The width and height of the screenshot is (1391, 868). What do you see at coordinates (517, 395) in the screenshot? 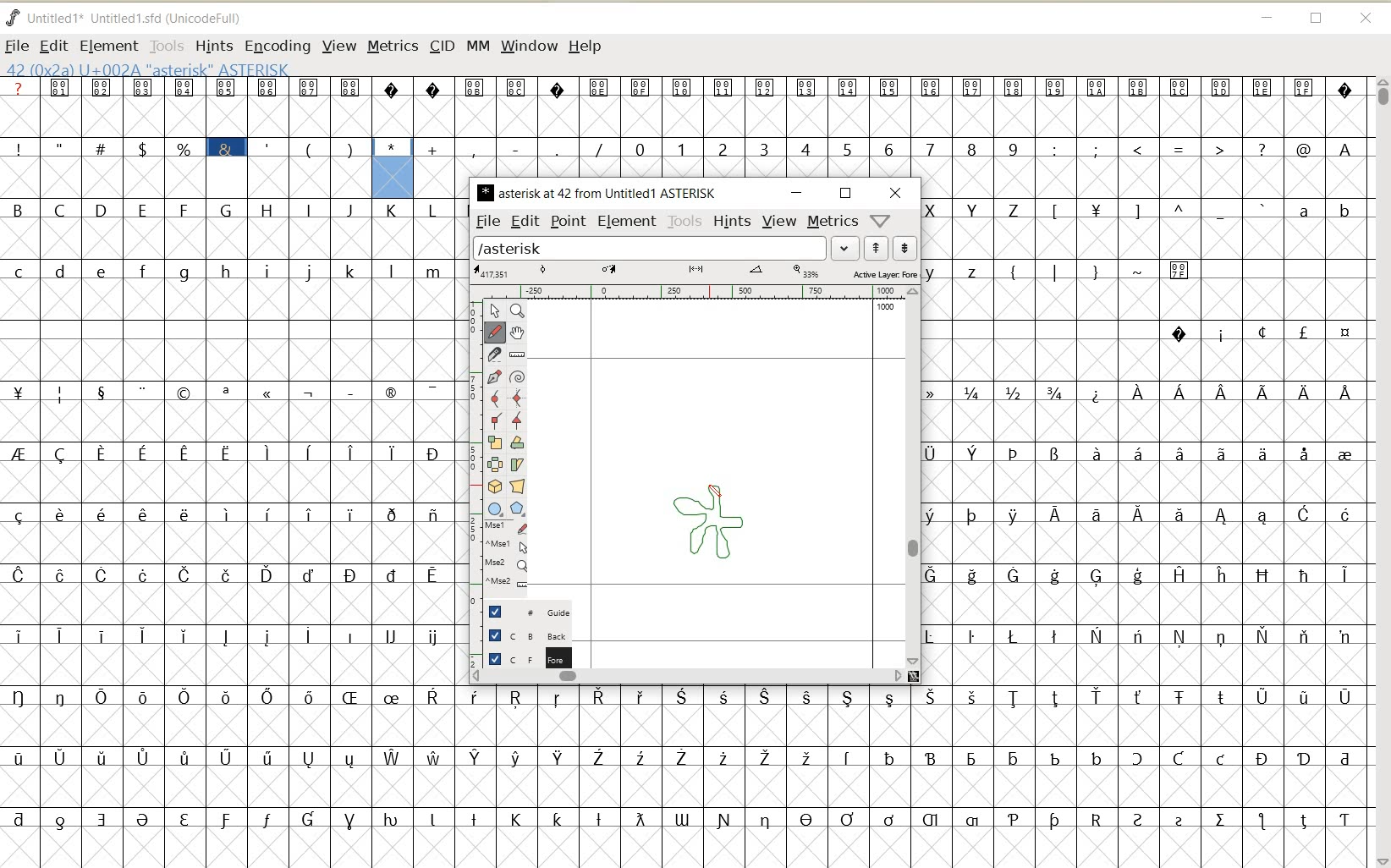
I see `add a curve point always either horizontal or vertical` at bounding box center [517, 395].